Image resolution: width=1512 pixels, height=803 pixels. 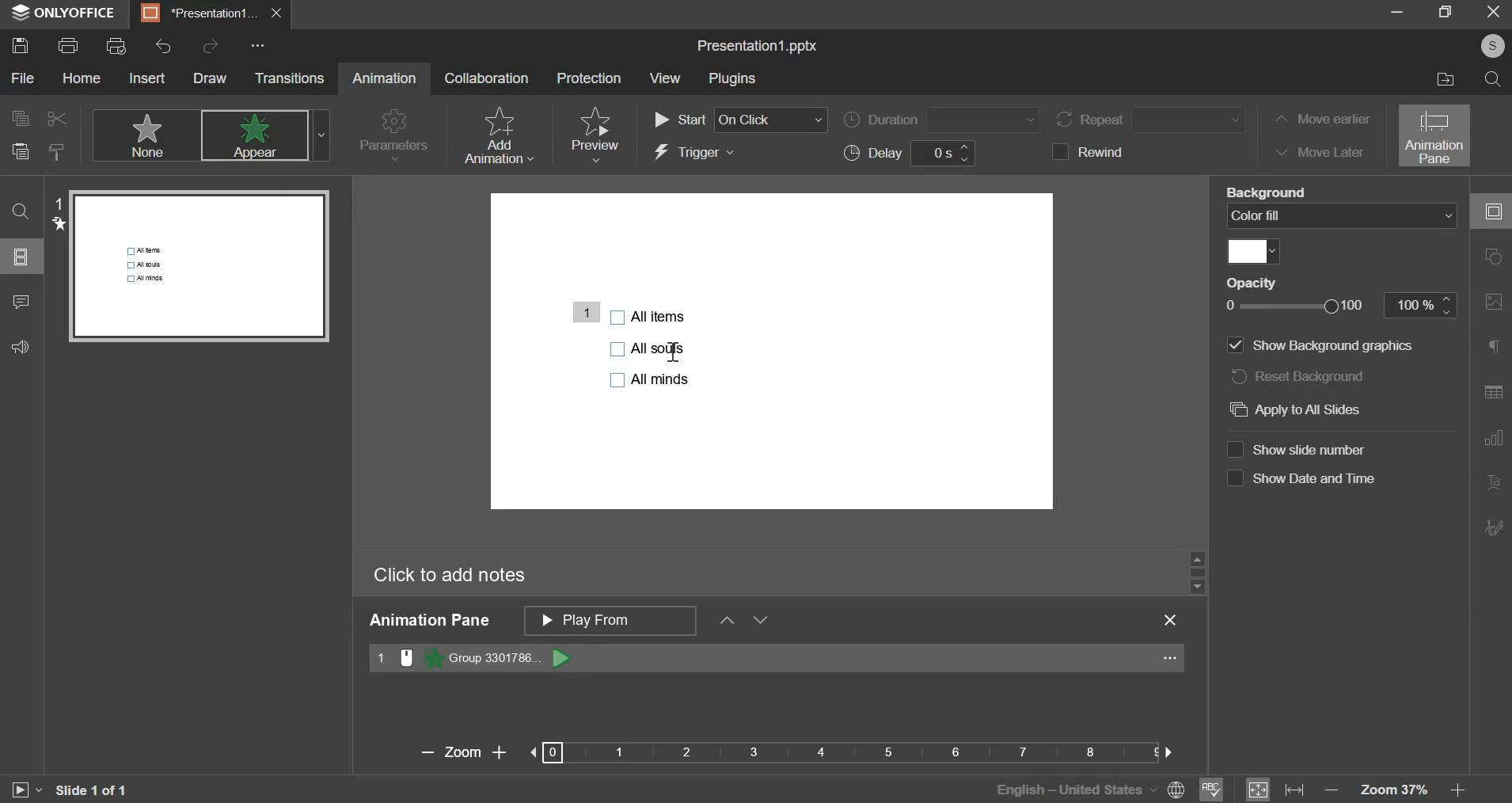 What do you see at coordinates (487, 77) in the screenshot?
I see `collaboration` at bounding box center [487, 77].